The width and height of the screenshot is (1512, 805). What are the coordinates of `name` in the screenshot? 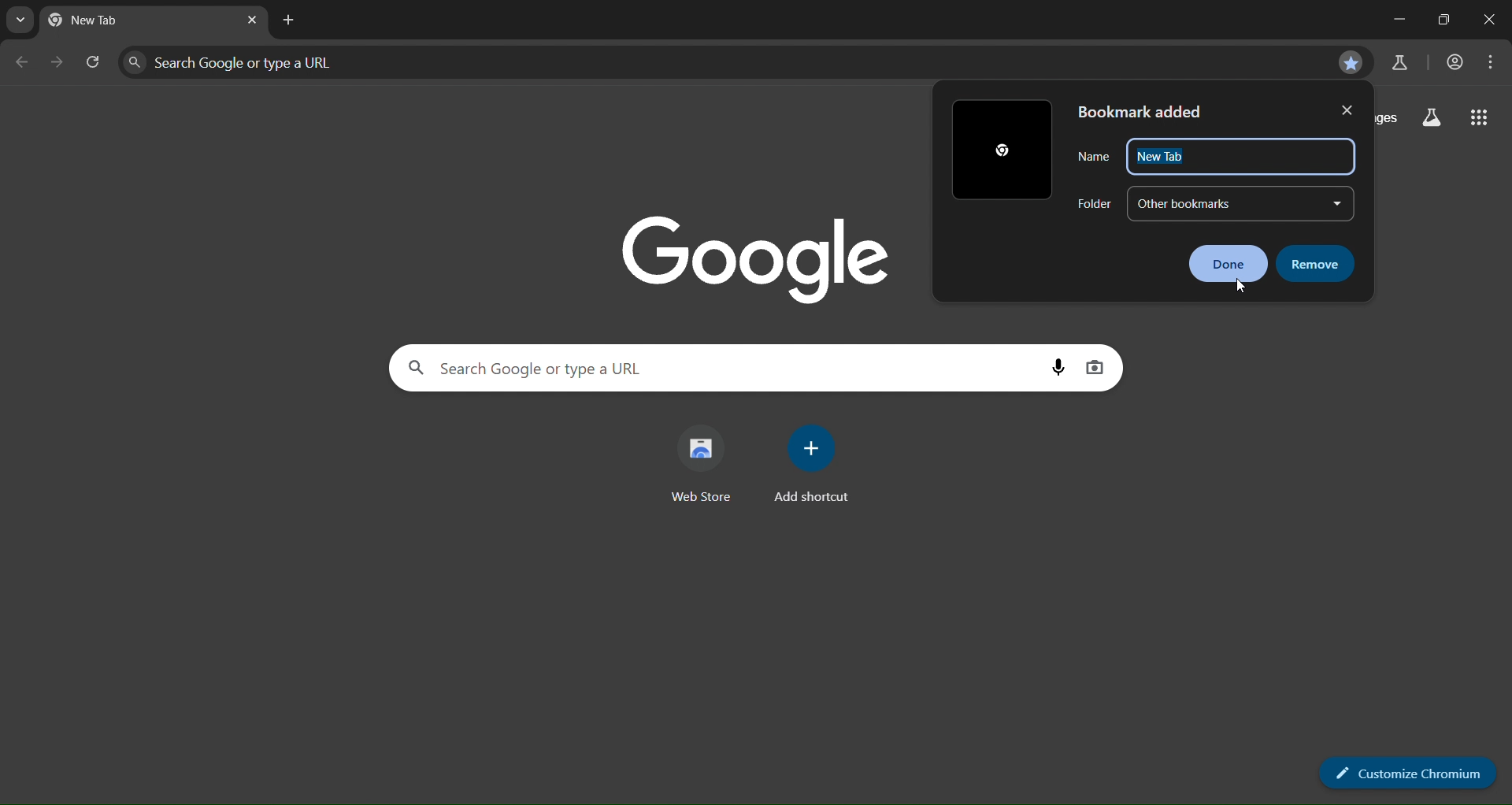 It's located at (1094, 157).